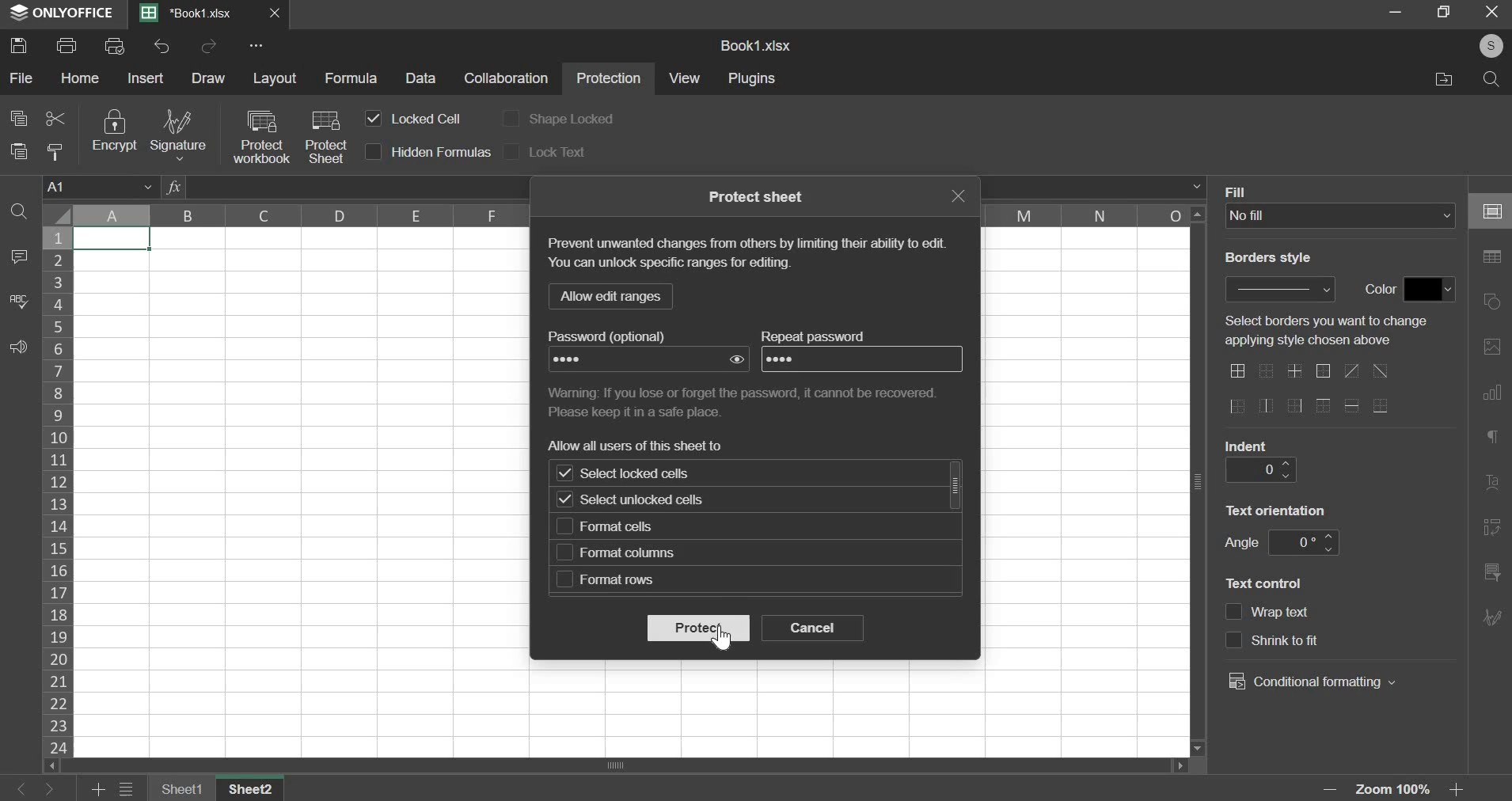  Describe the element at coordinates (276, 13) in the screenshot. I see `Close ` at that location.